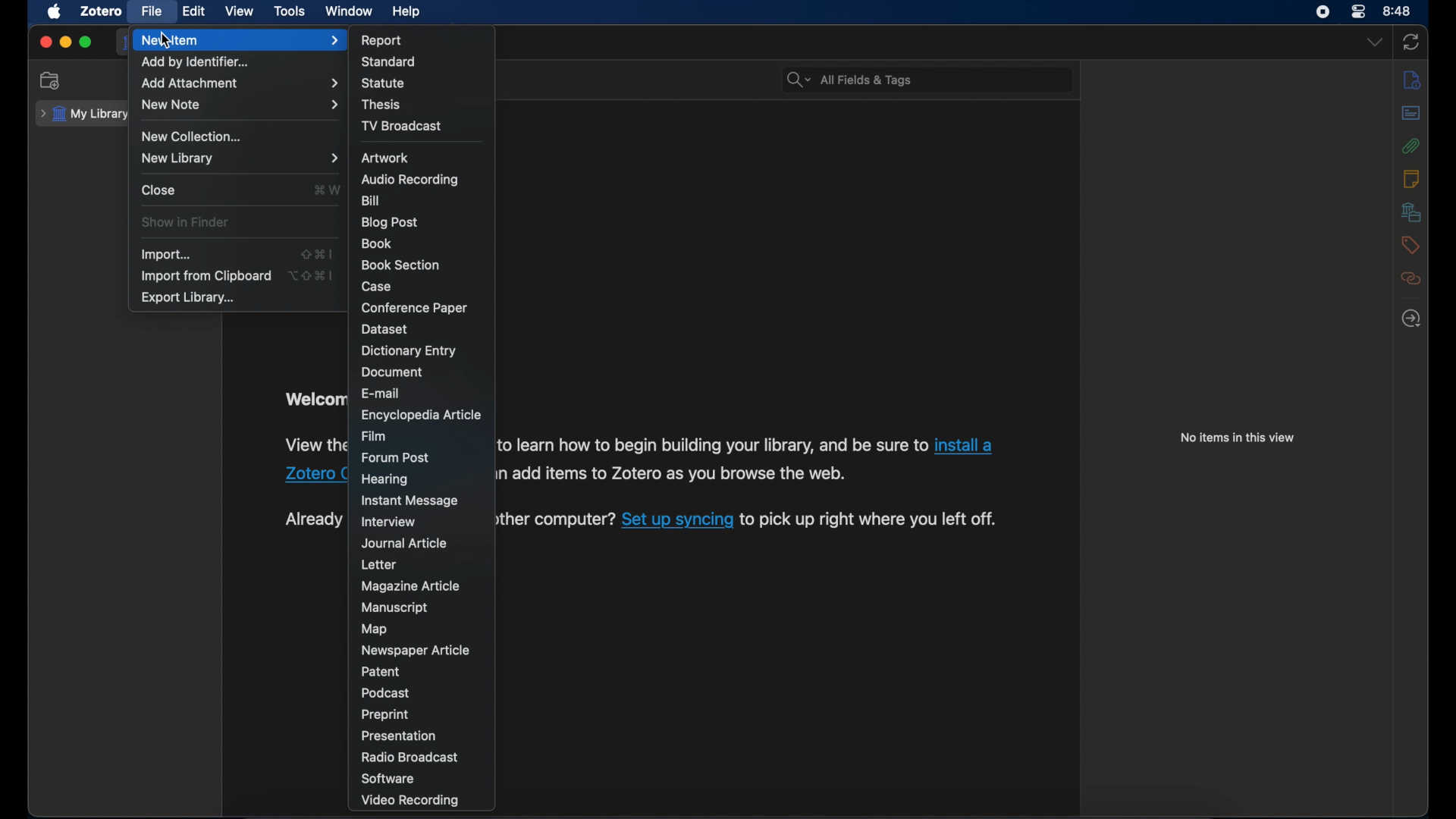 This screenshot has height=819, width=1456. I want to click on zotero, so click(100, 11).